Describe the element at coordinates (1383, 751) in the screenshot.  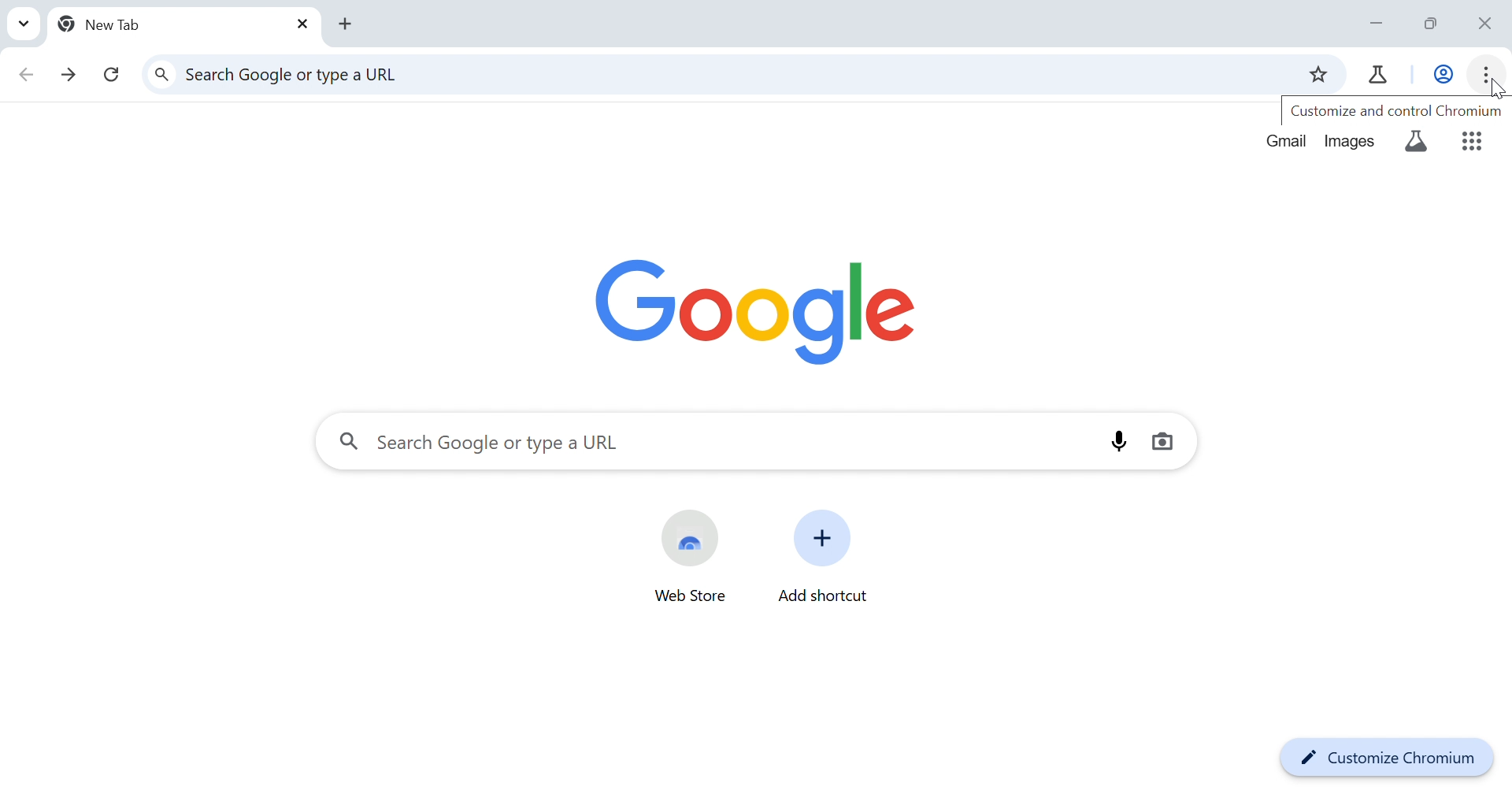
I see `Customize Chromium` at that location.